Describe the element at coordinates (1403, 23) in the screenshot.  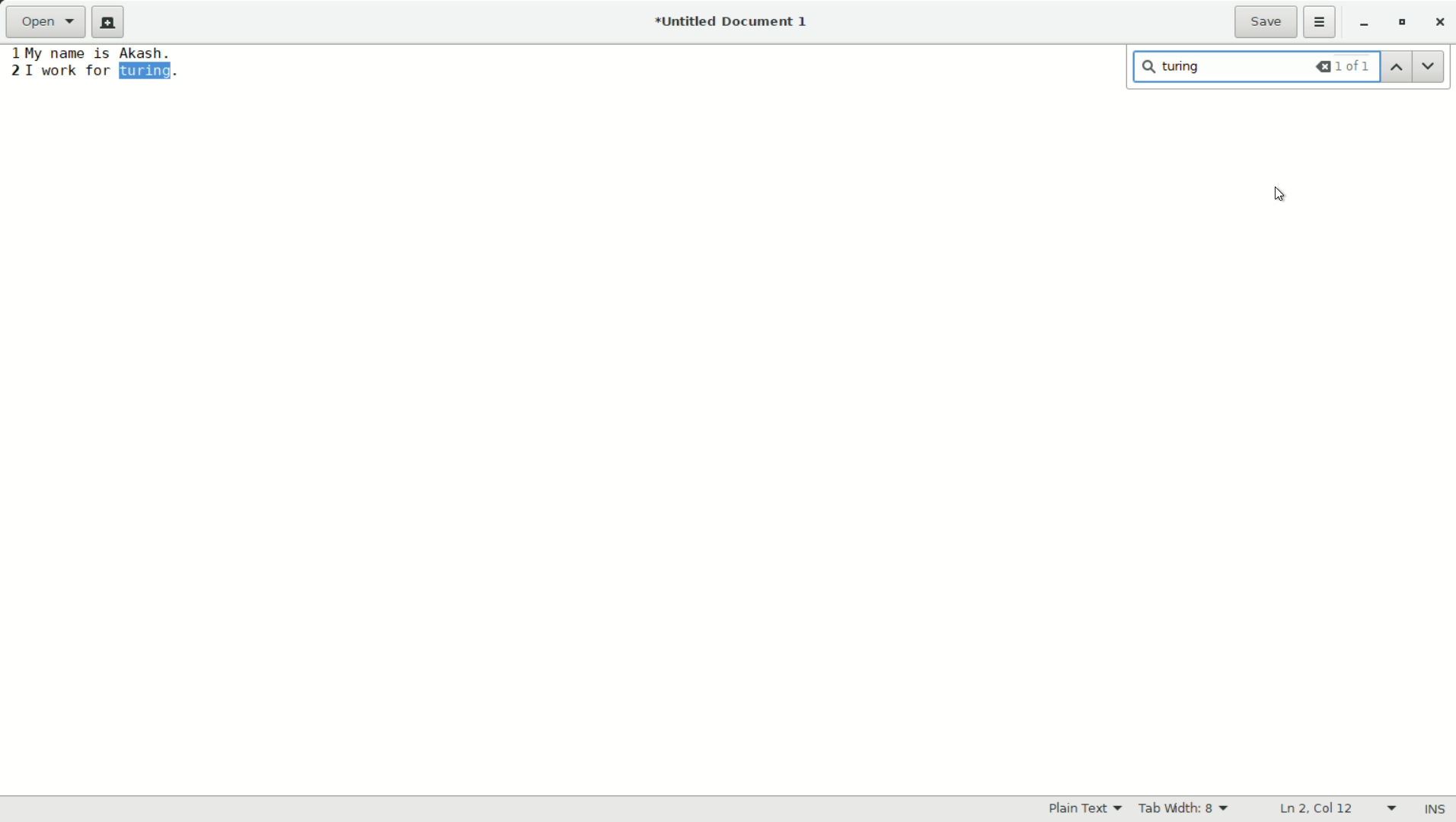
I see `maximize or restore` at that location.